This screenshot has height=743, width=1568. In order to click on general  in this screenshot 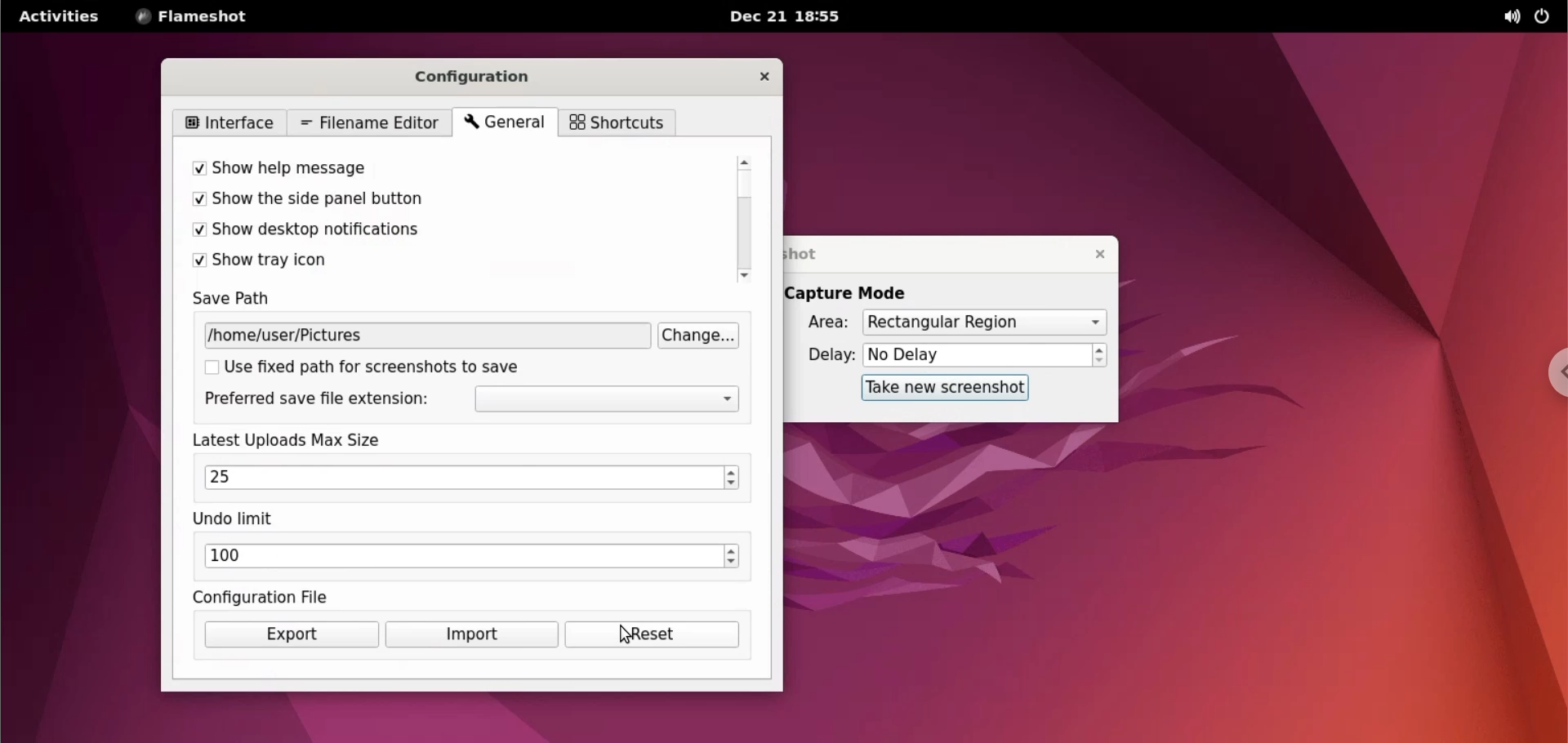, I will do `click(501, 123)`.